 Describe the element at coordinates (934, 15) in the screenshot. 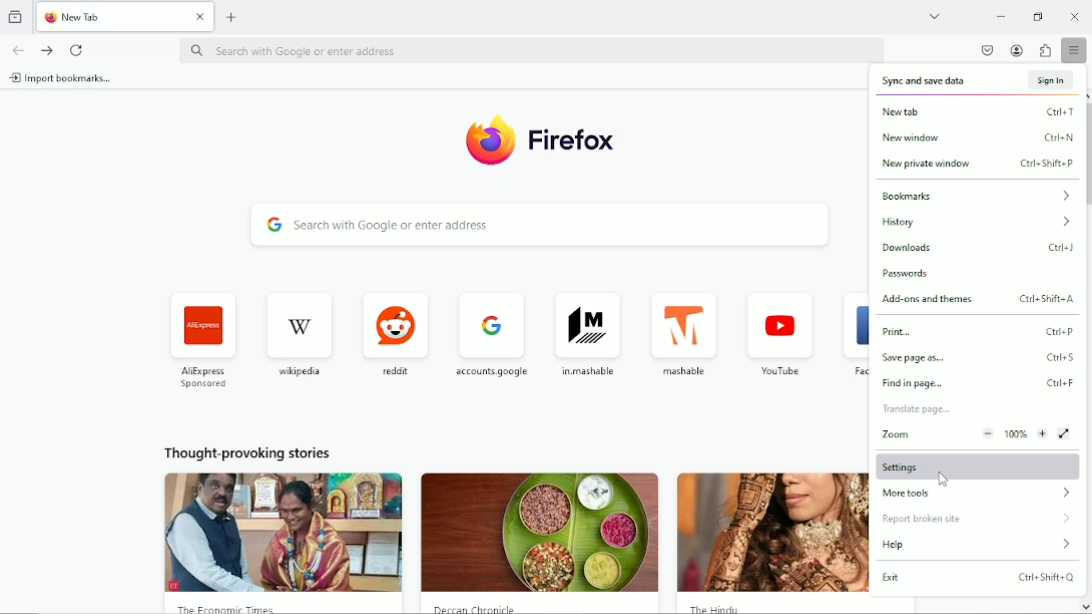

I see `List all tabs` at that location.